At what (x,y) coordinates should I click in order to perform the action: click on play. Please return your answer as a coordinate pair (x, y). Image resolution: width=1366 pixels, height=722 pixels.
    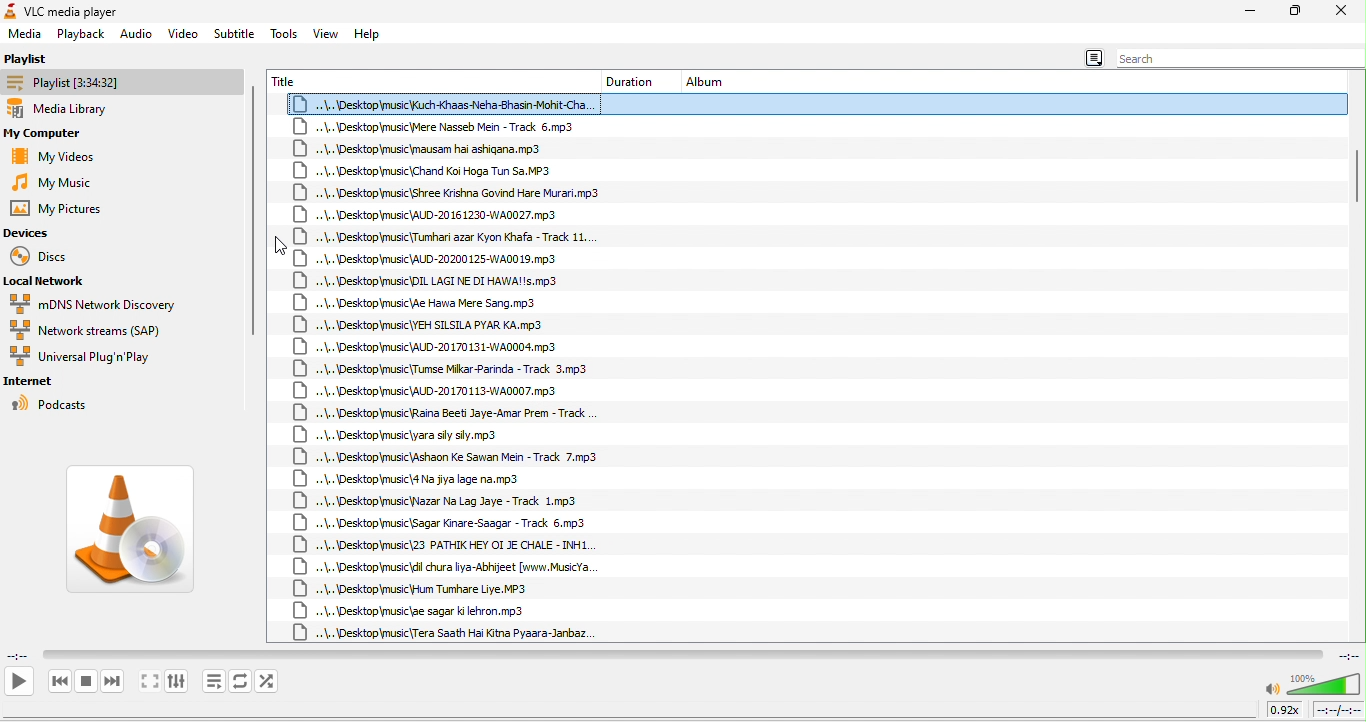
    Looking at the image, I should click on (18, 681).